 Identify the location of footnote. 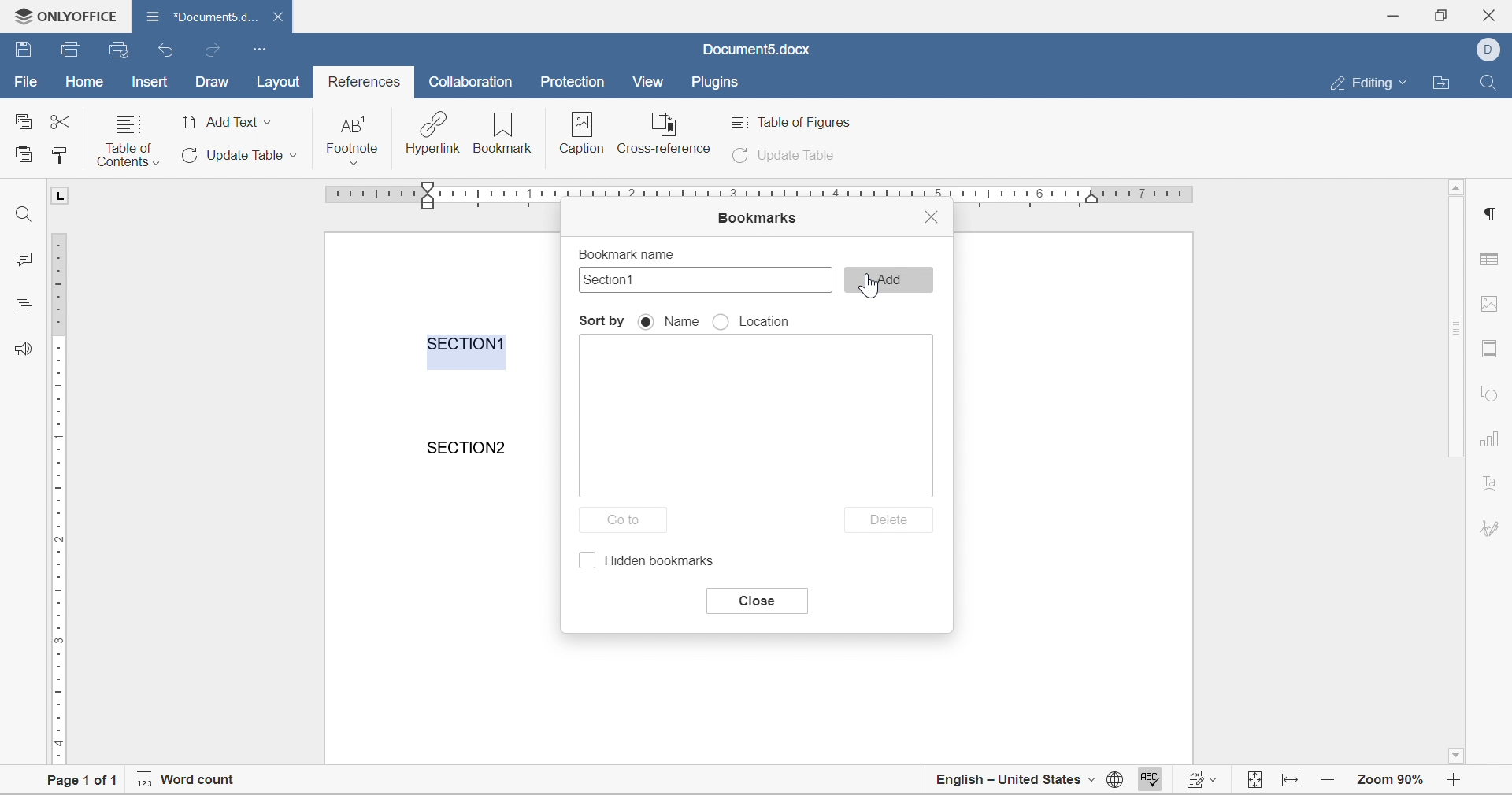
(354, 139).